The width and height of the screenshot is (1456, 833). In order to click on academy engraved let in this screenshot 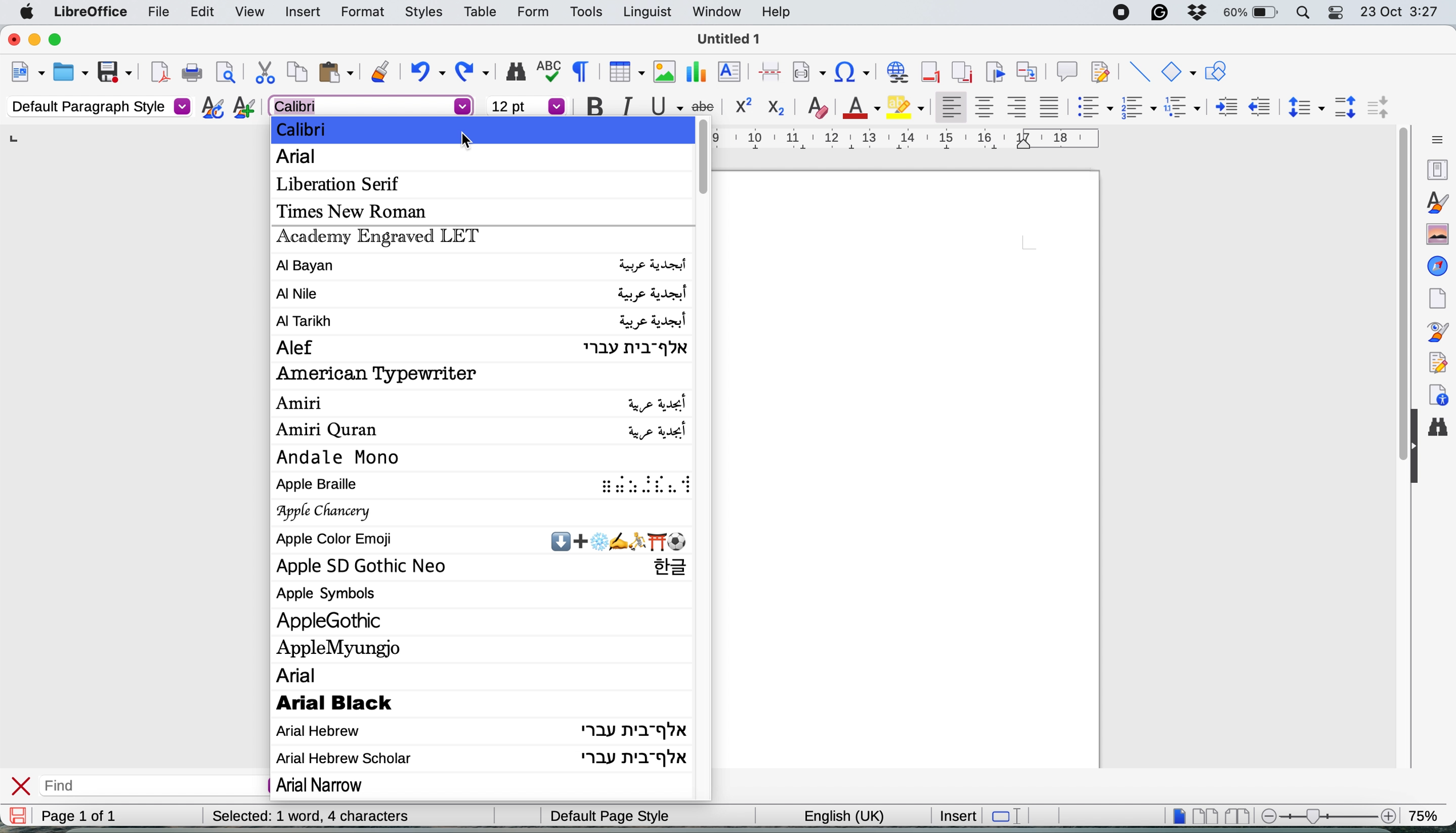, I will do `click(379, 239)`.